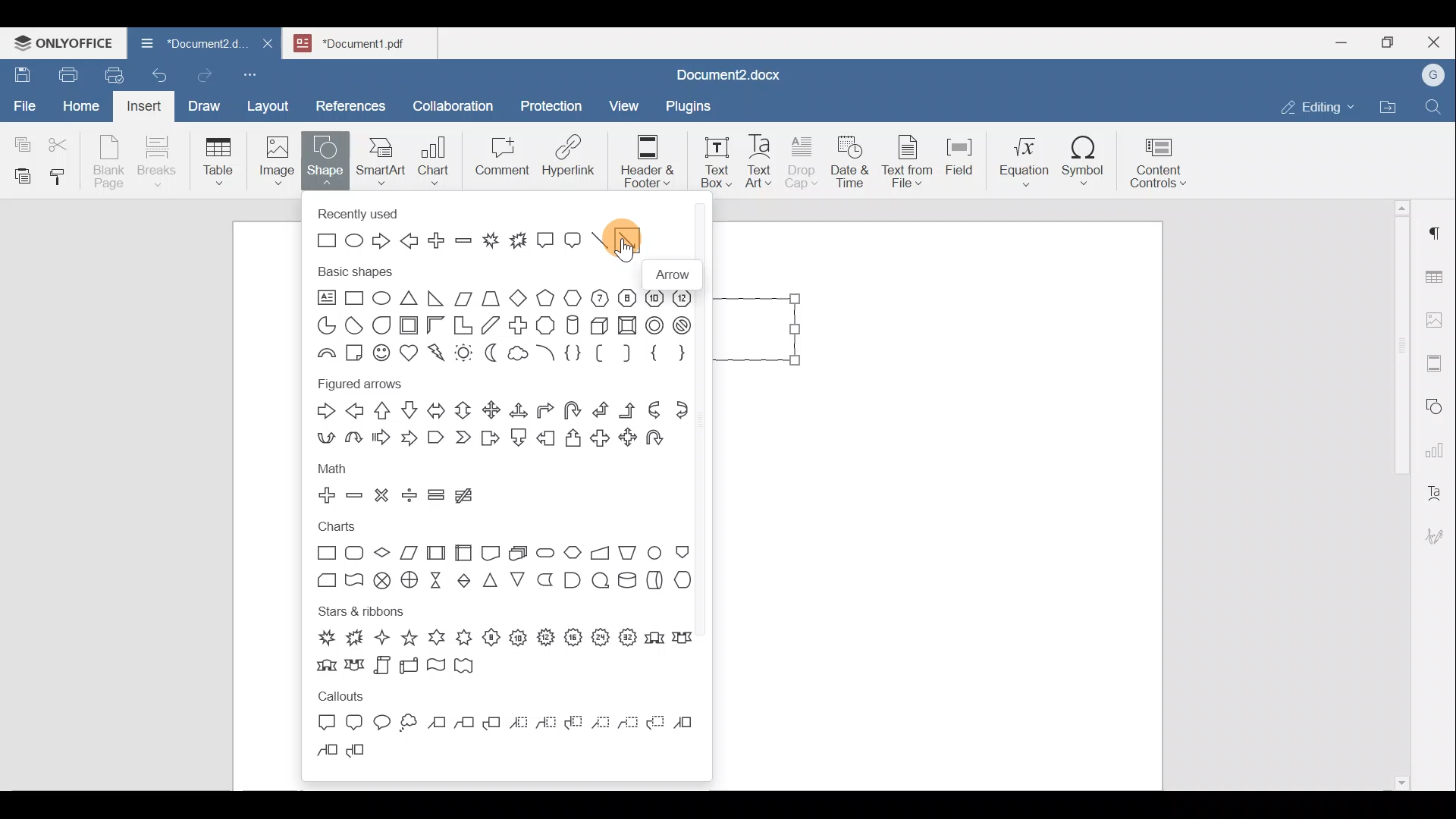 The height and width of the screenshot is (819, 1456). What do you see at coordinates (1439, 531) in the screenshot?
I see `Signature settings` at bounding box center [1439, 531].